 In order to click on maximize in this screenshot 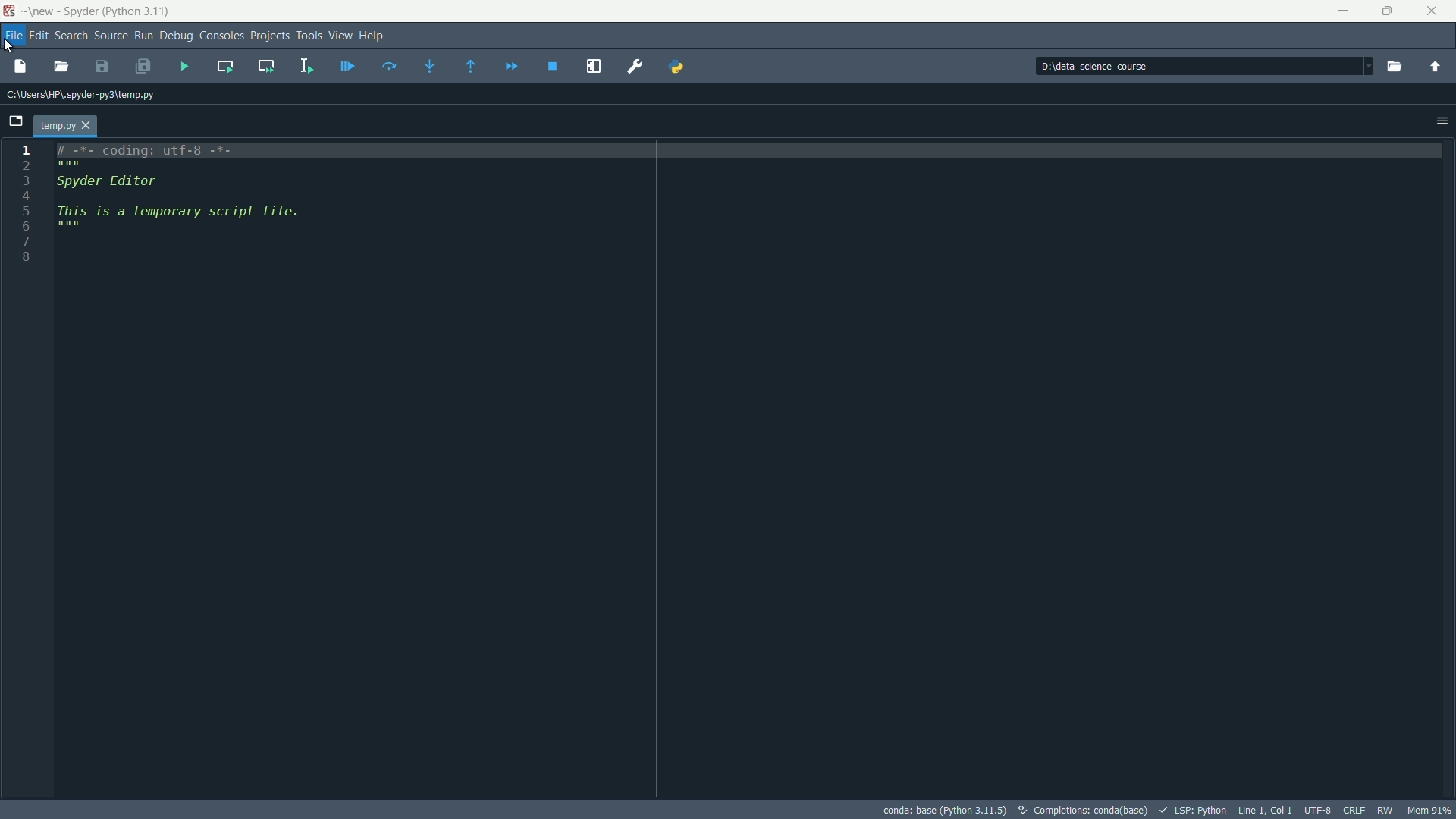, I will do `click(1387, 12)`.